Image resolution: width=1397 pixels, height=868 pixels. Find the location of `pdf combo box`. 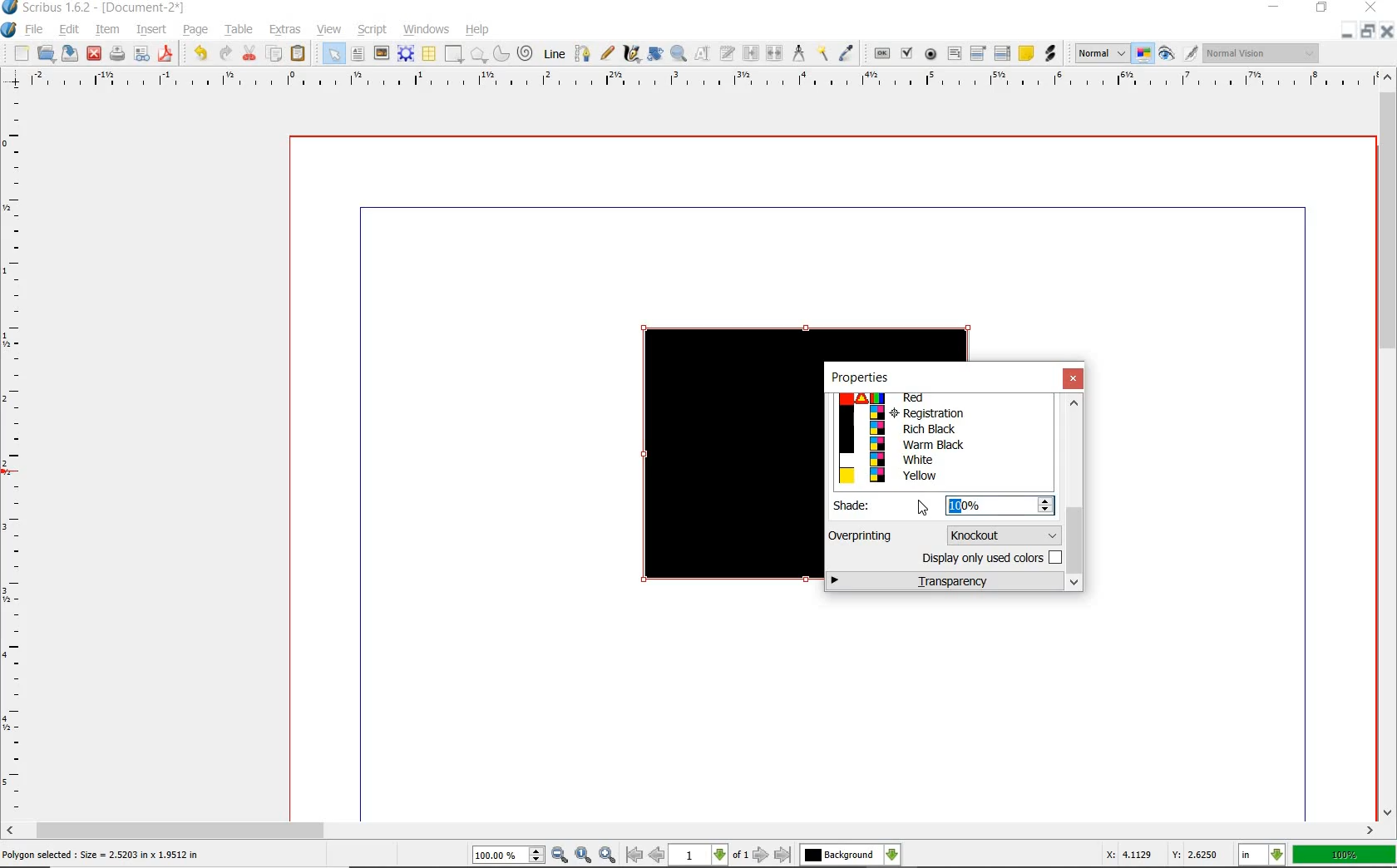

pdf combo box is located at coordinates (978, 54).